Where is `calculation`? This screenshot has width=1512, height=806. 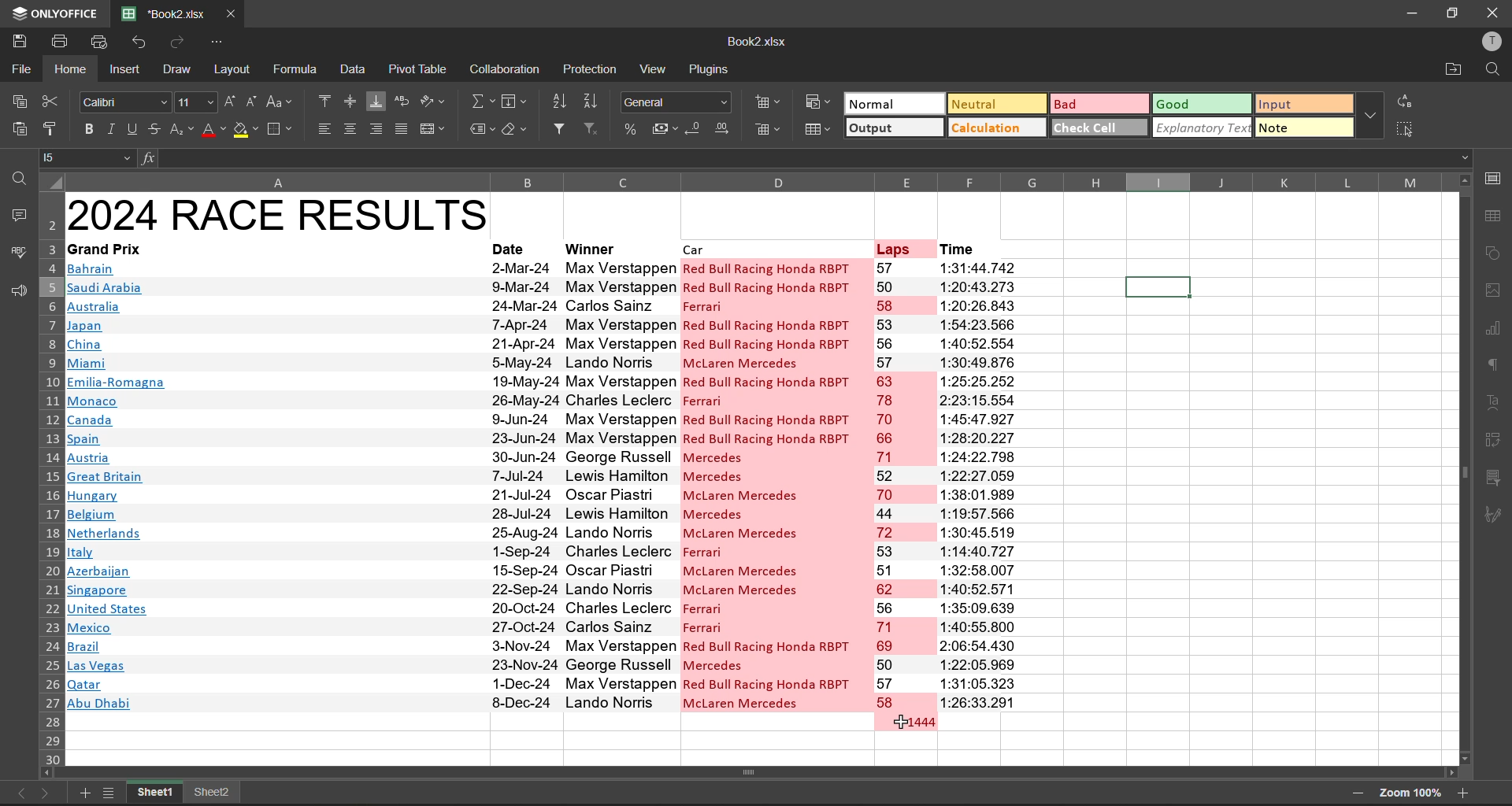 calculation is located at coordinates (998, 128).